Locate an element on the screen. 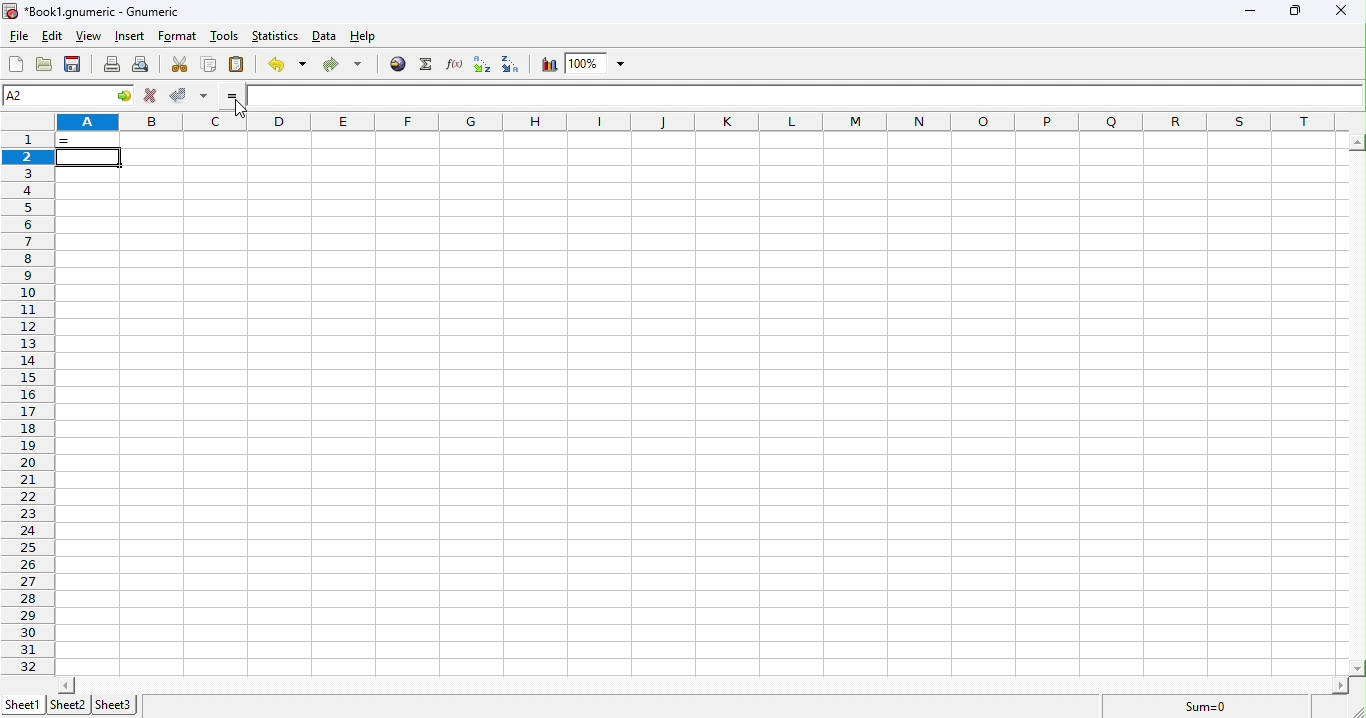 This screenshot has height=718, width=1366. statistics is located at coordinates (275, 35).